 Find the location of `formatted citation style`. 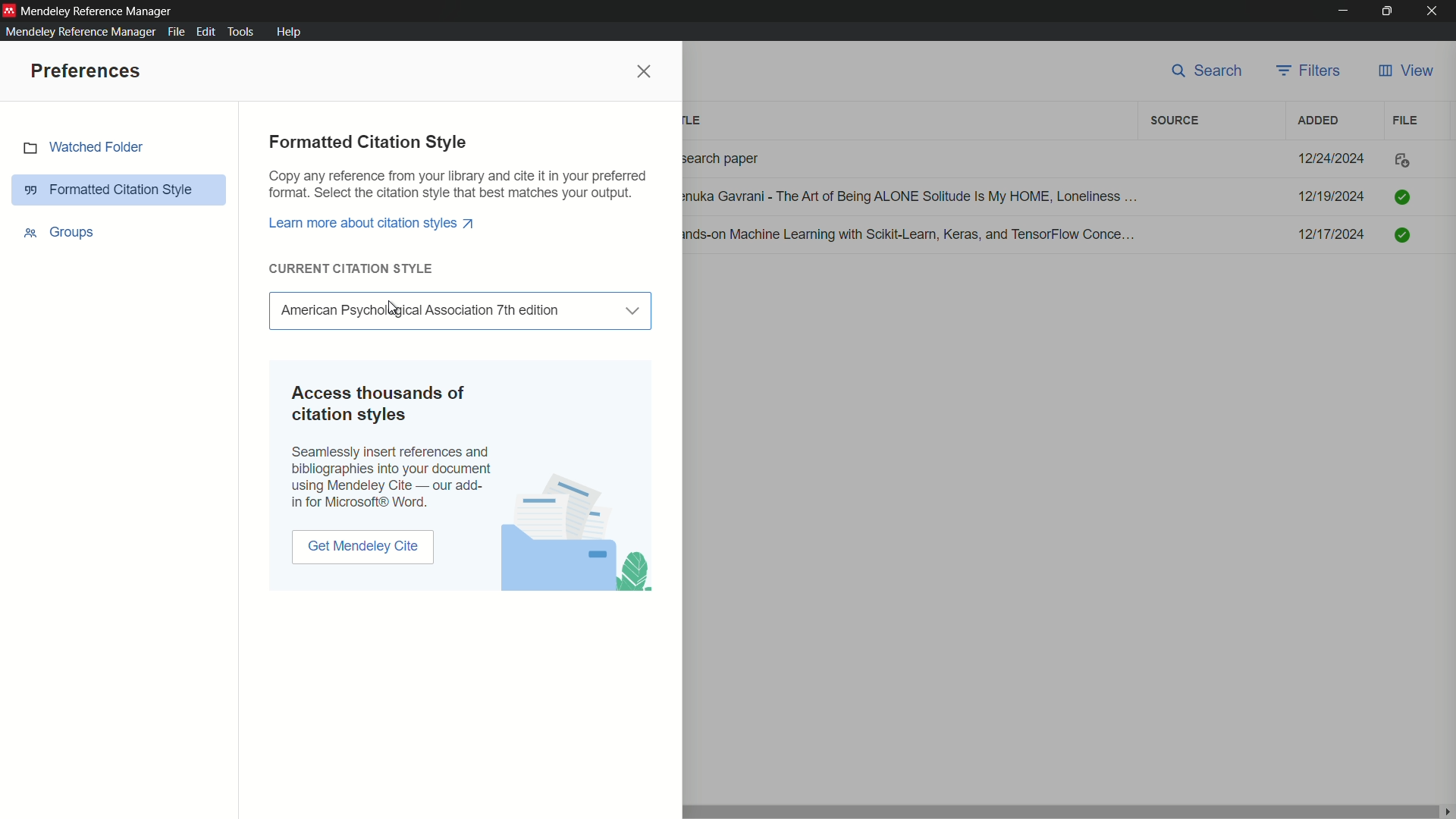

formatted citation style is located at coordinates (370, 141).